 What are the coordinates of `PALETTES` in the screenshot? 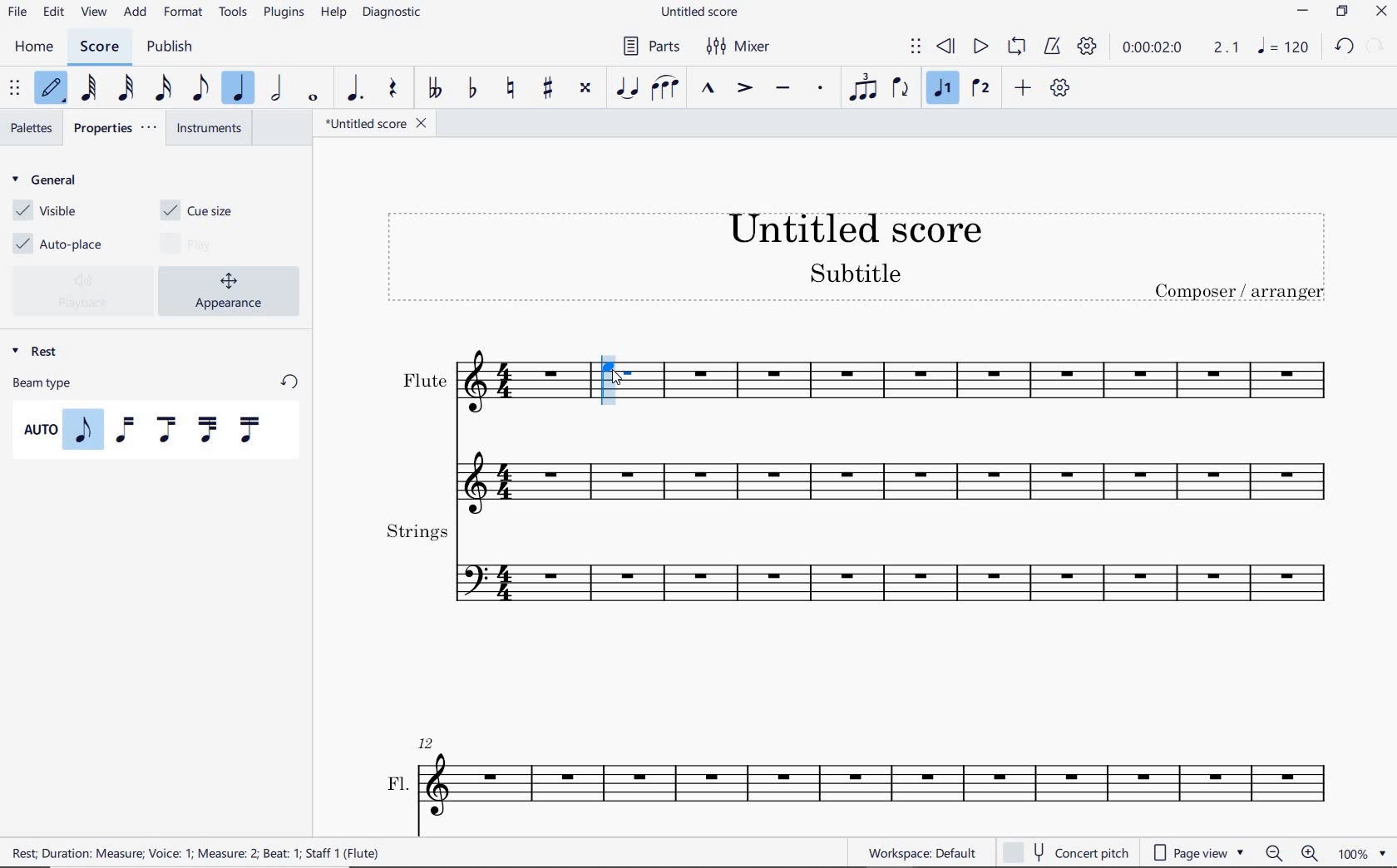 It's located at (32, 126).